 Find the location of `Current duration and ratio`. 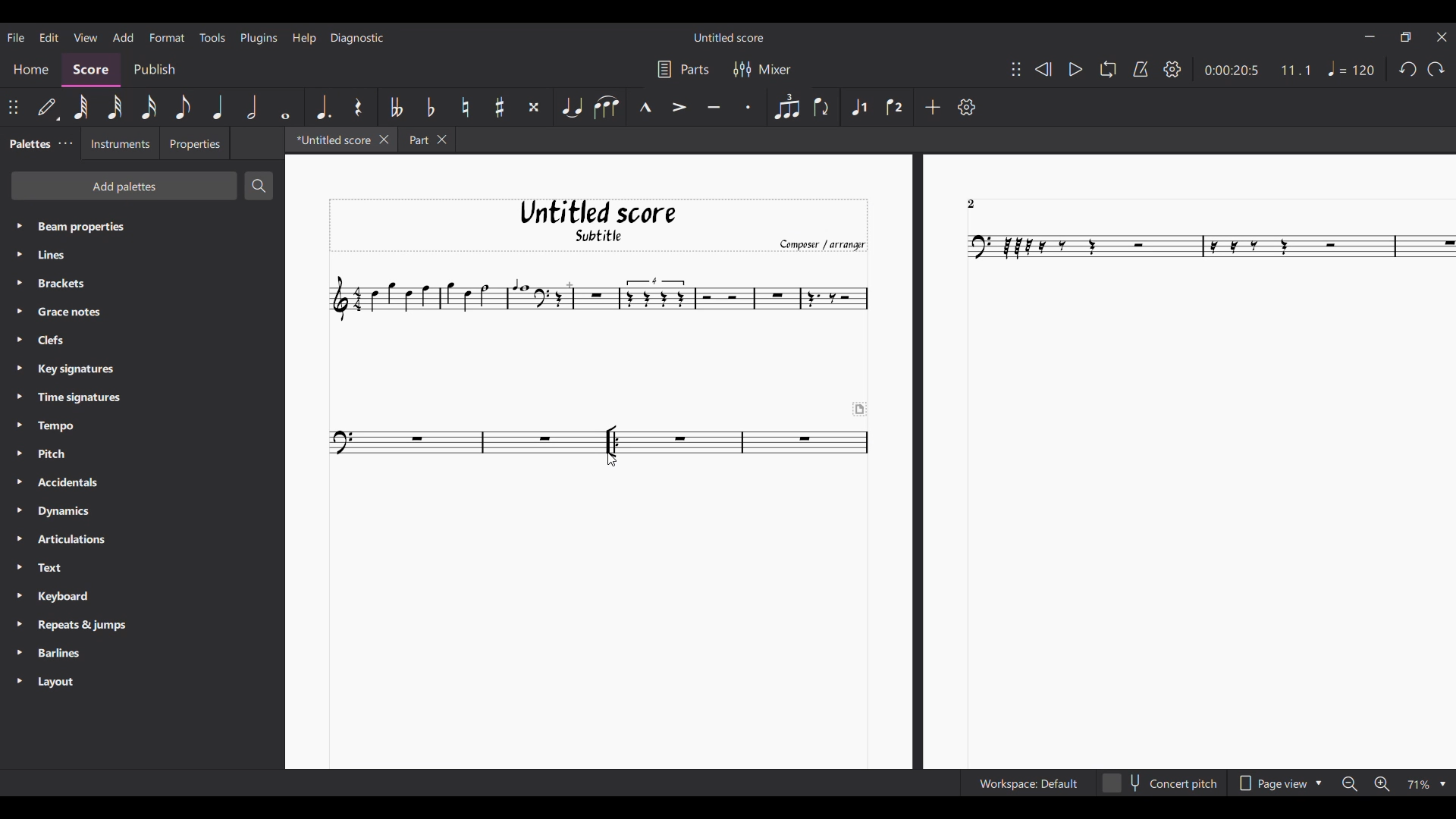

Current duration and ratio is located at coordinates (1258, 71).